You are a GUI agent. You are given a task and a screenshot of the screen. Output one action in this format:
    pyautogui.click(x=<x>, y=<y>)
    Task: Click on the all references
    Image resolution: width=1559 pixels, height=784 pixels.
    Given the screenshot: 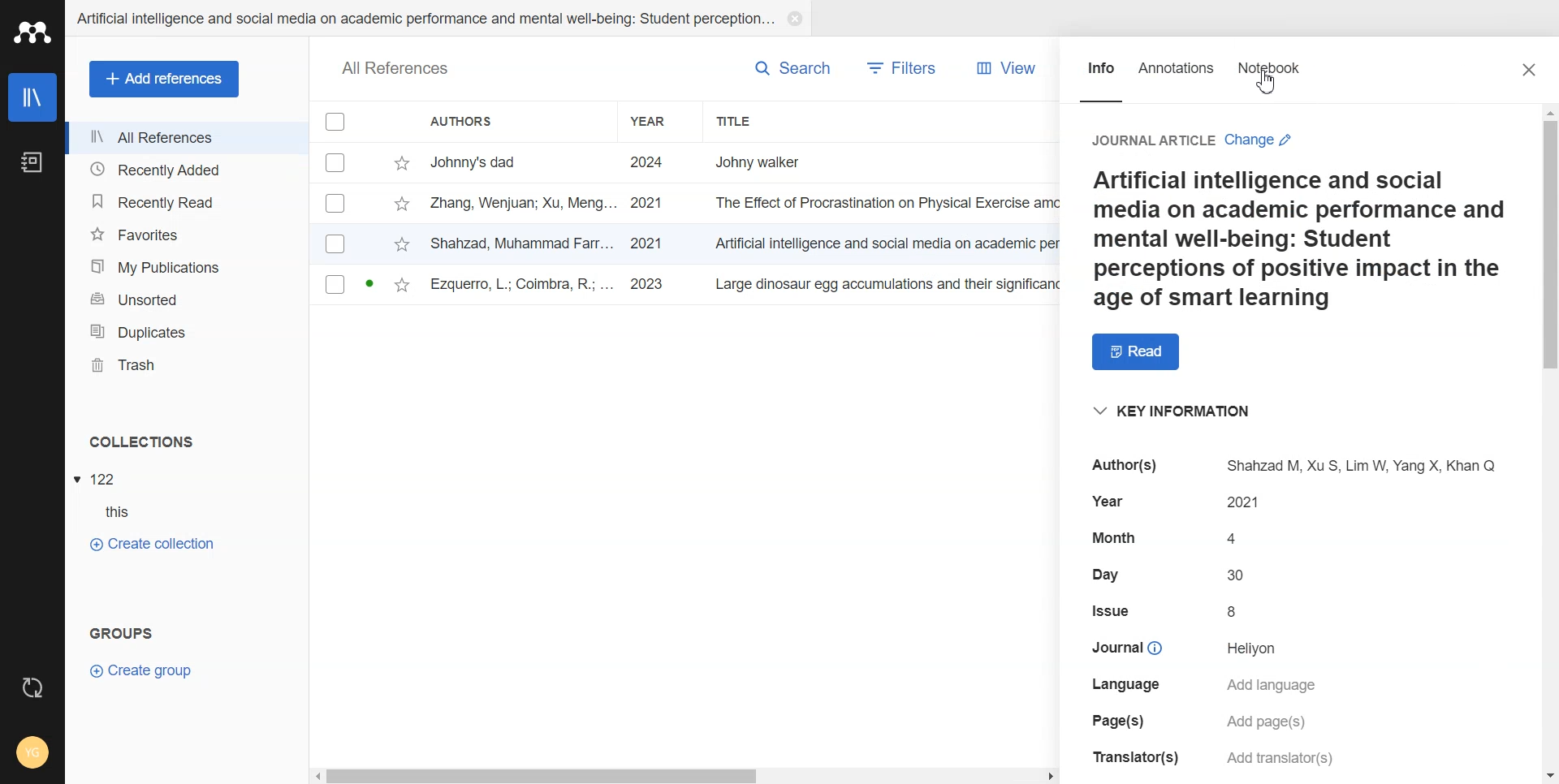 What is the action you would take?
    pyautogui.click(x=395, y=70)
    